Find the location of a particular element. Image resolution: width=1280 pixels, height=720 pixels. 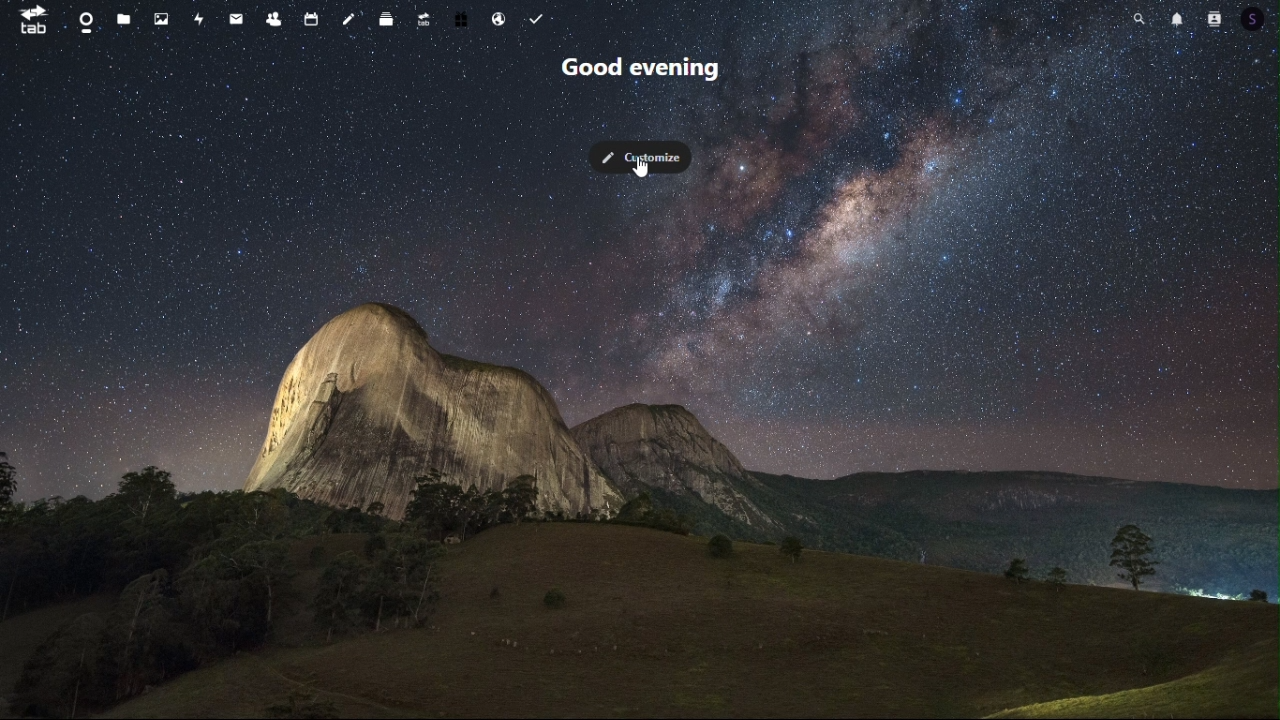

Greetings is located at coordinates (644, 70).